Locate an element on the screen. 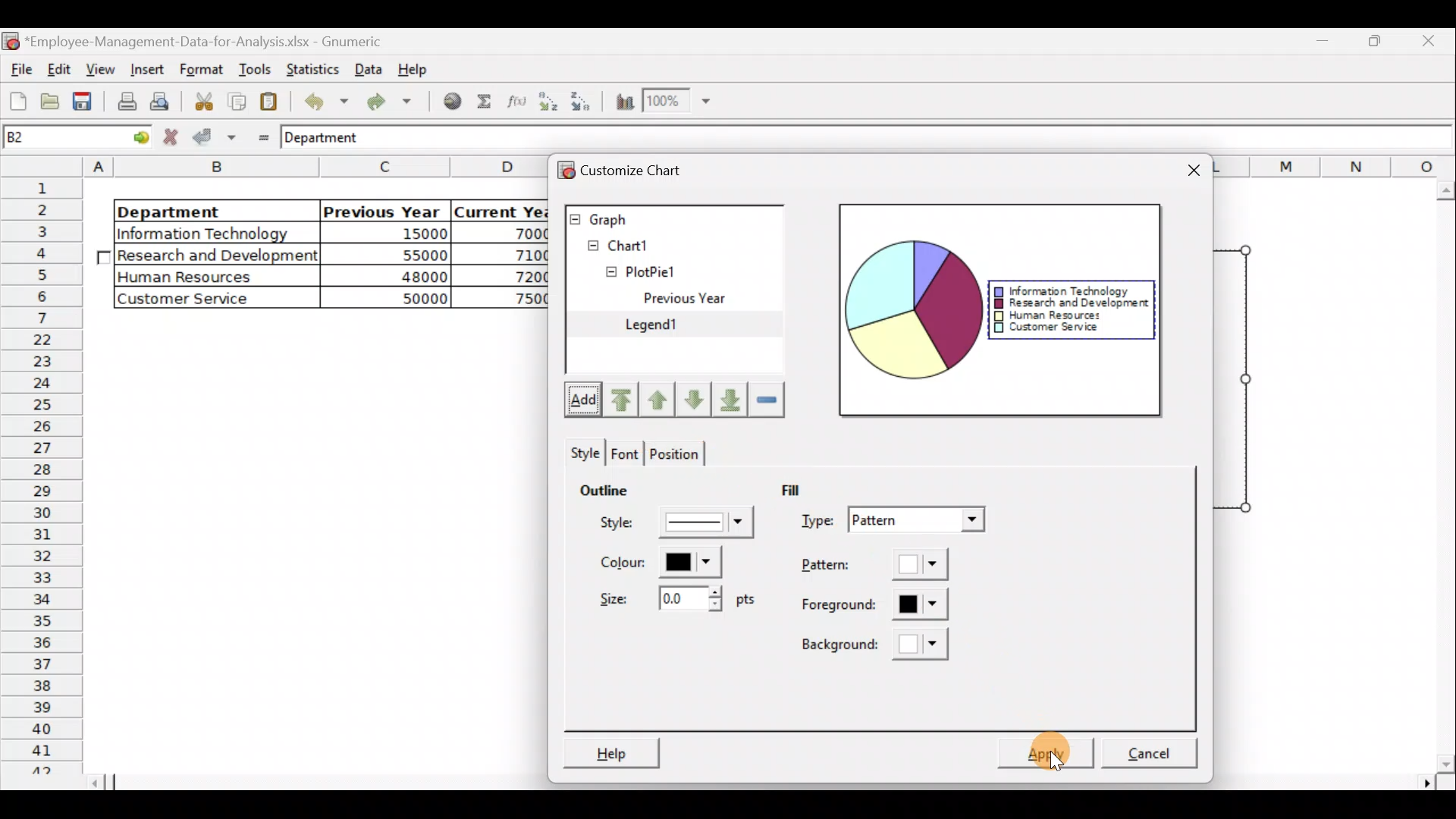 The image size is (1456, 819). Title to chart1 is located at coordinates (661, 498).